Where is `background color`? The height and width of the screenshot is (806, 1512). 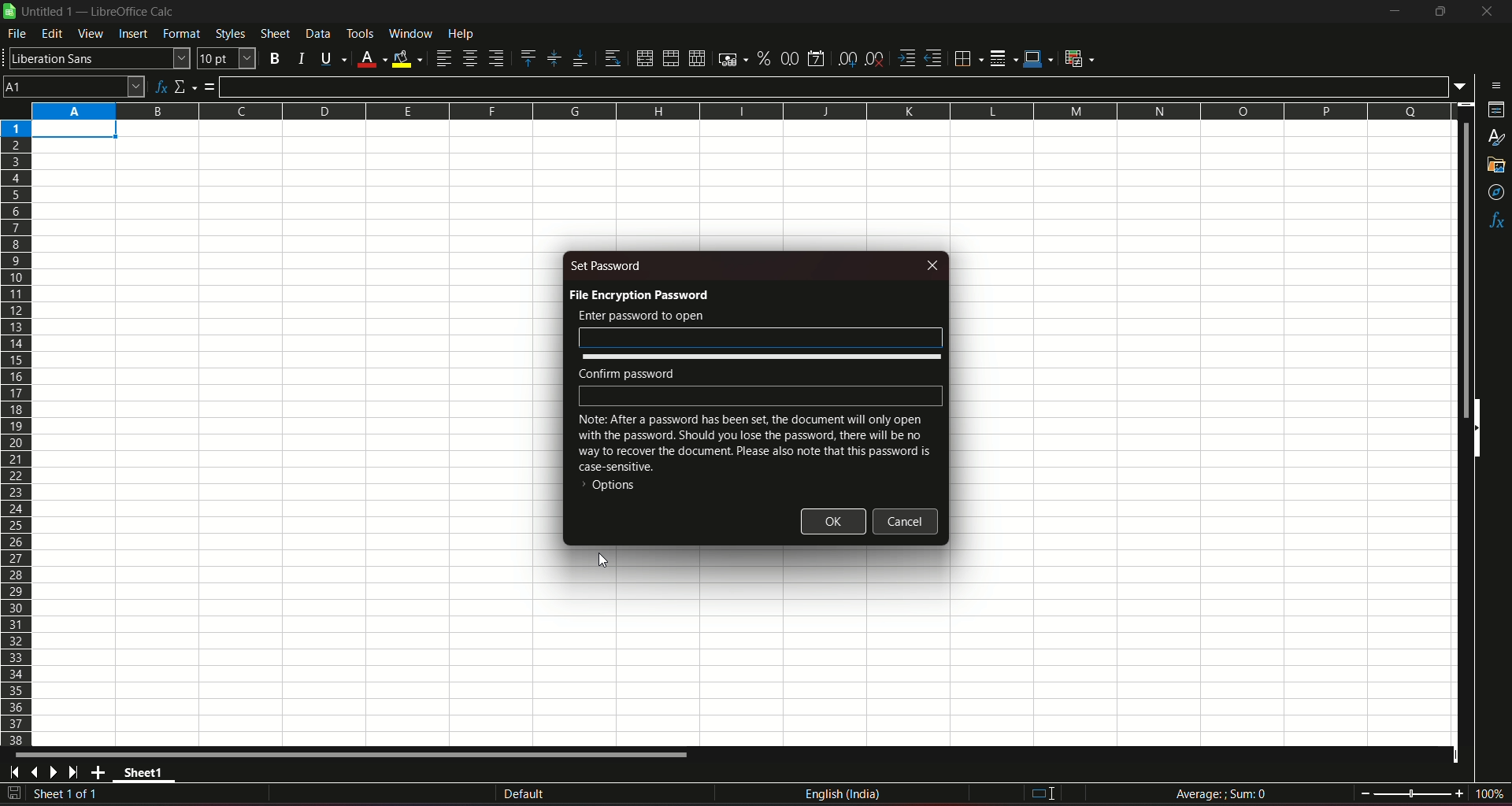 background color is located at coordinates (407, 57).